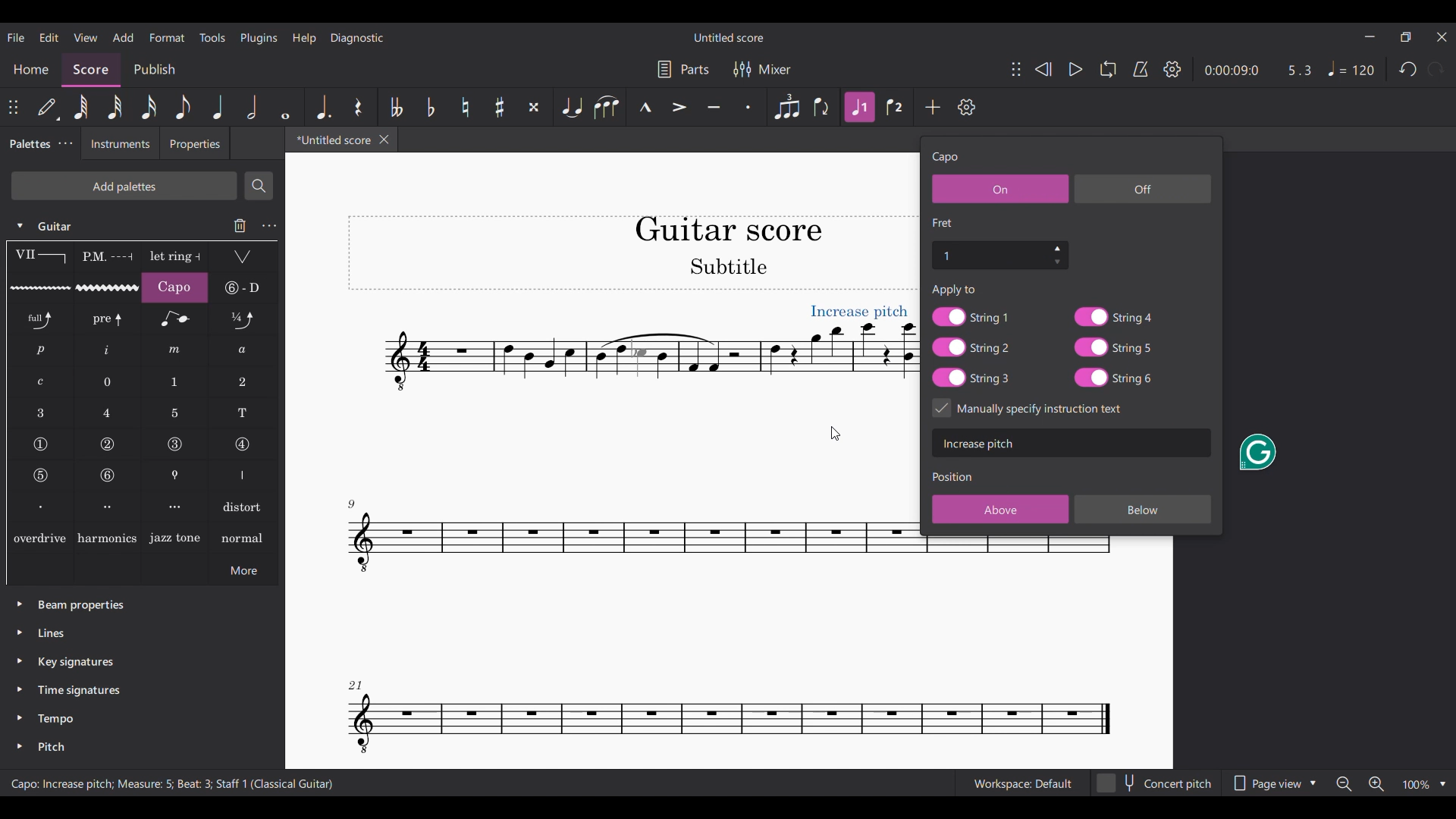 The height and width of the screenshot is (819, 1456). Describe the element at coordinates (748, 107) in the screenshot. I see `Staccato` at that location.